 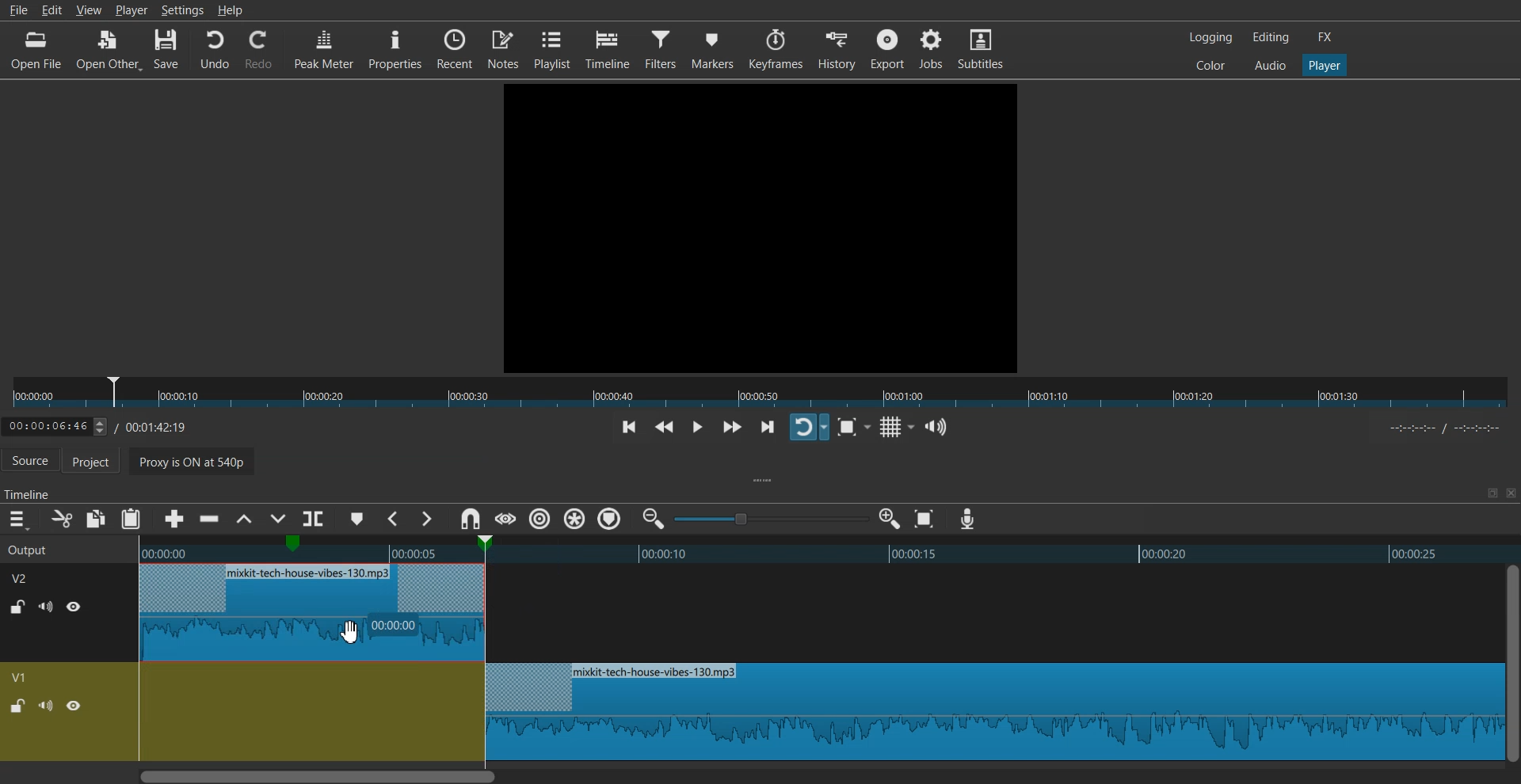 I want to click on Maximize, so click(x=1492, y=493).